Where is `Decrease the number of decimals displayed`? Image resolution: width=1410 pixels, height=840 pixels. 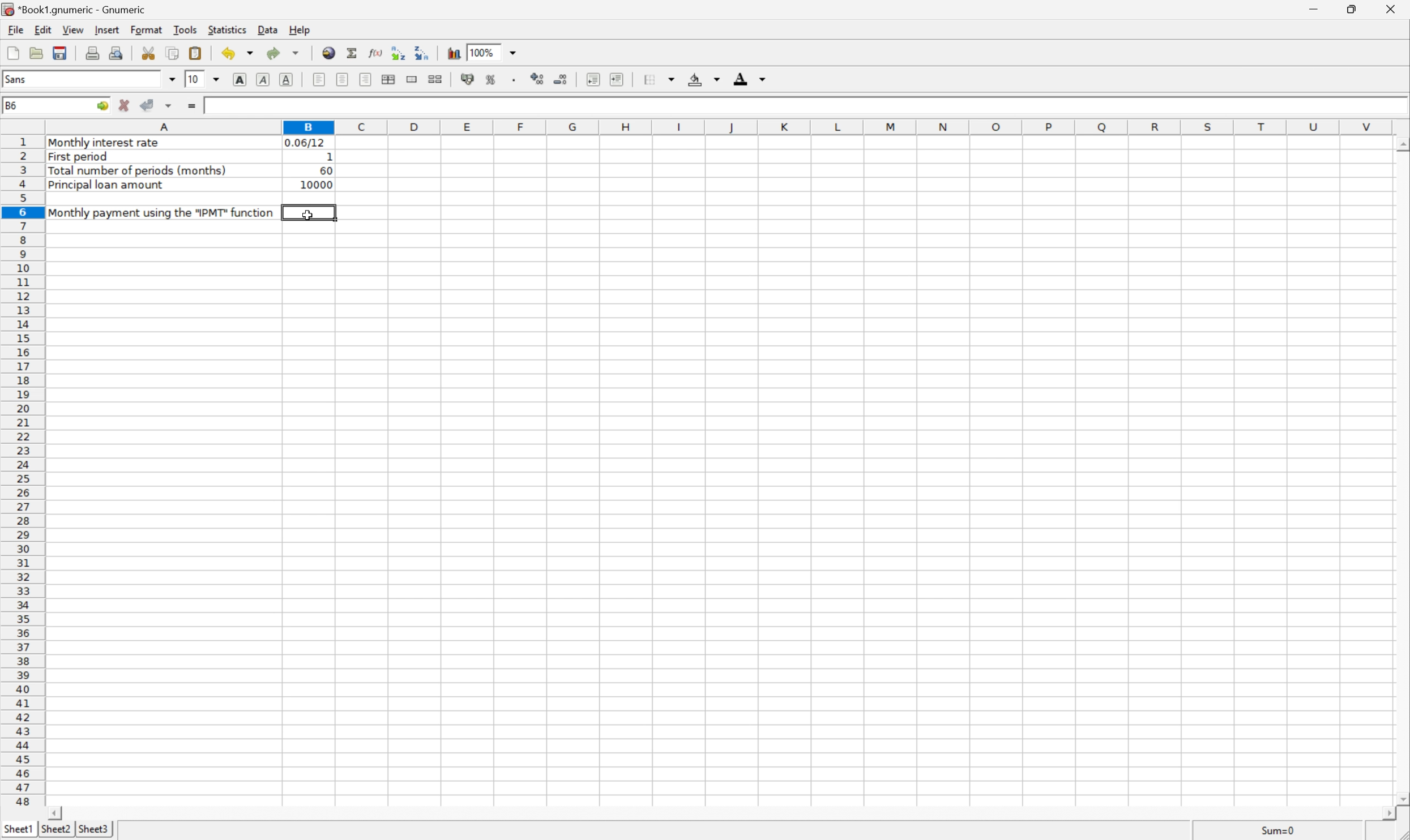 Decrease the number of decimals displayed is located at coordinates (562, 79).